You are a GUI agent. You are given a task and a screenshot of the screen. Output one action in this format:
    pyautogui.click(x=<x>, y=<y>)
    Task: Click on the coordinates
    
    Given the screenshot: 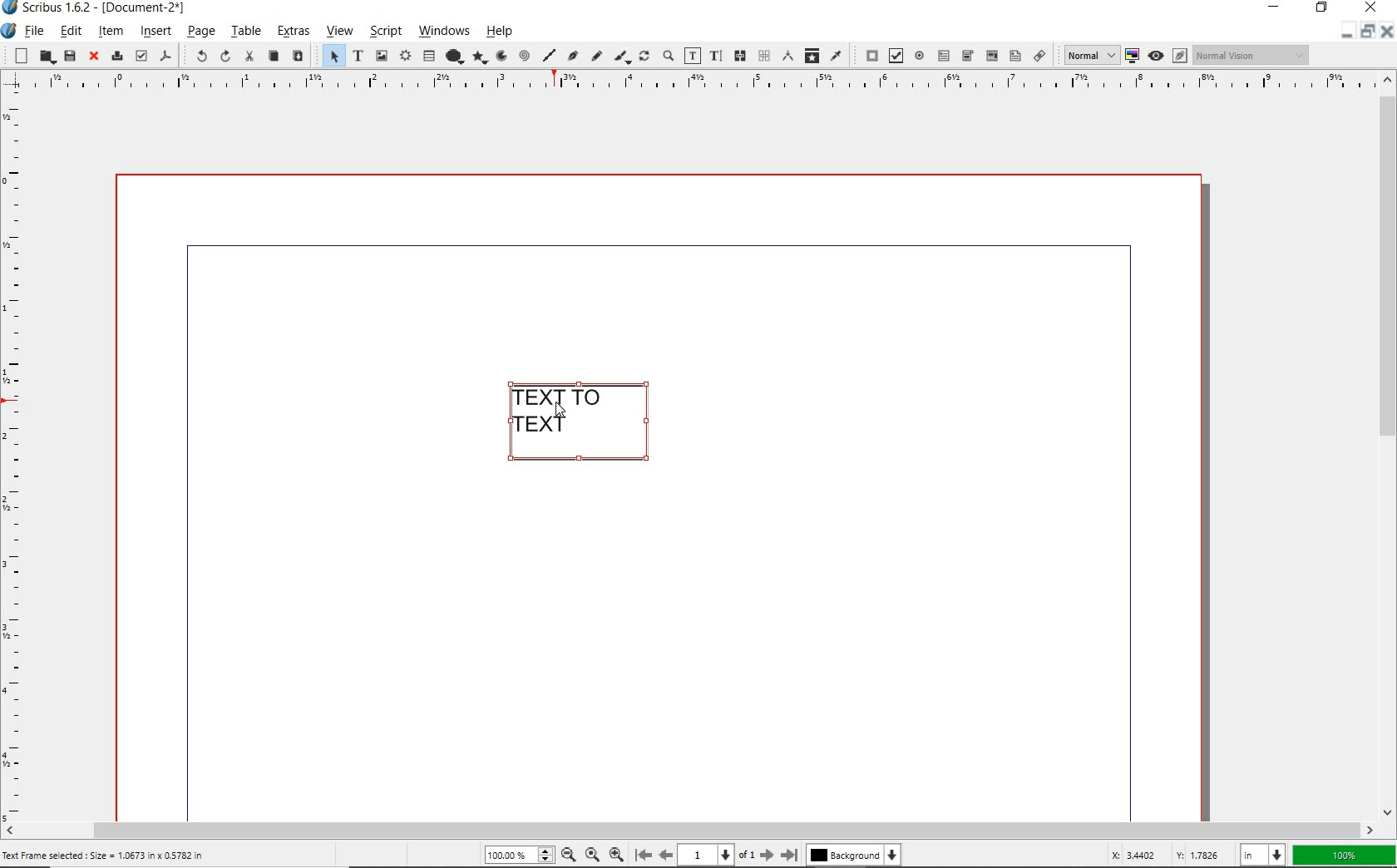 What is the action you would take?
    pyautogui.click(x=1164, y=853)
    